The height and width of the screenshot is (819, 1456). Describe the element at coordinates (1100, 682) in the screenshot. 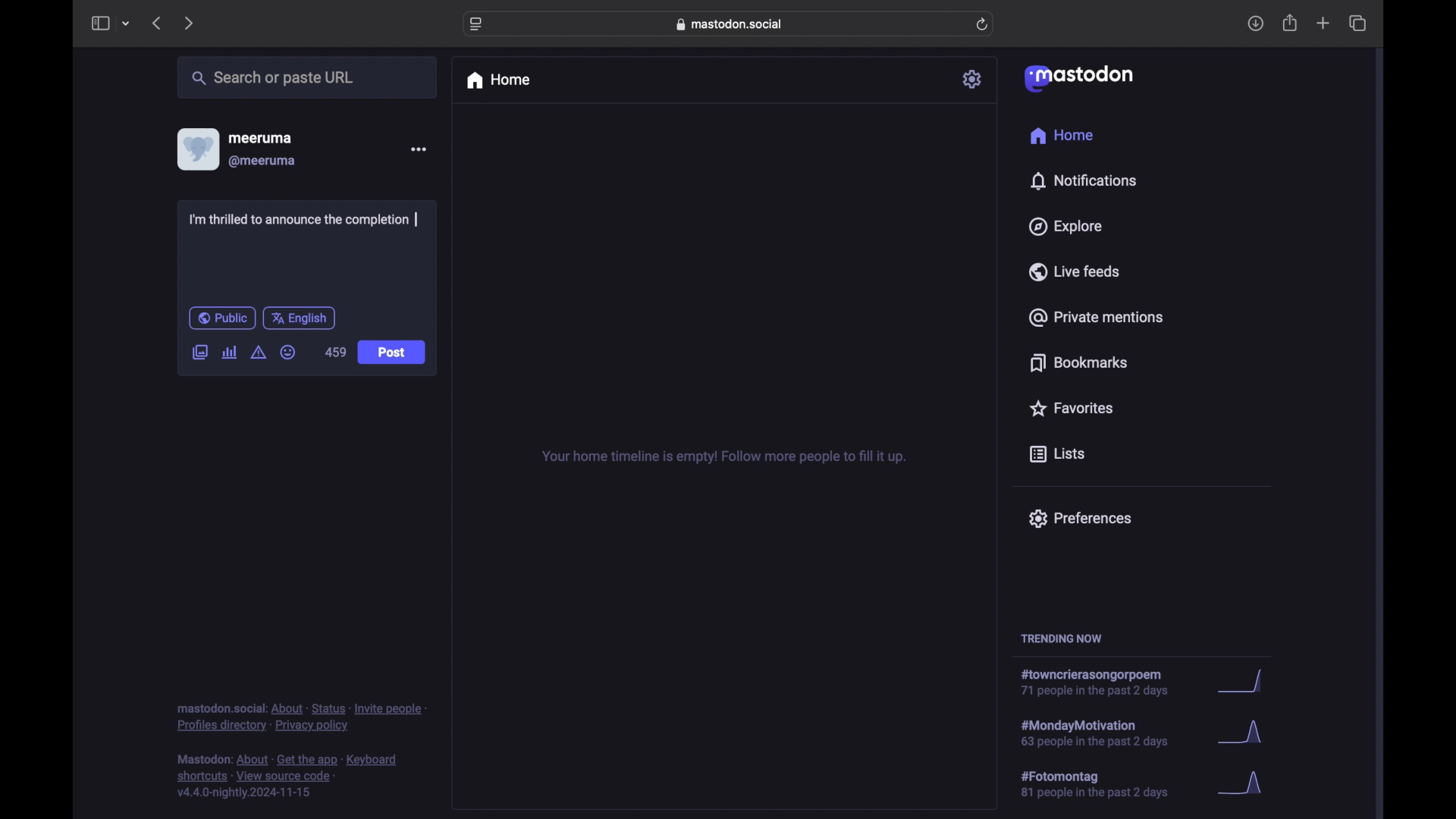

I see `hashtag trend` at that location.